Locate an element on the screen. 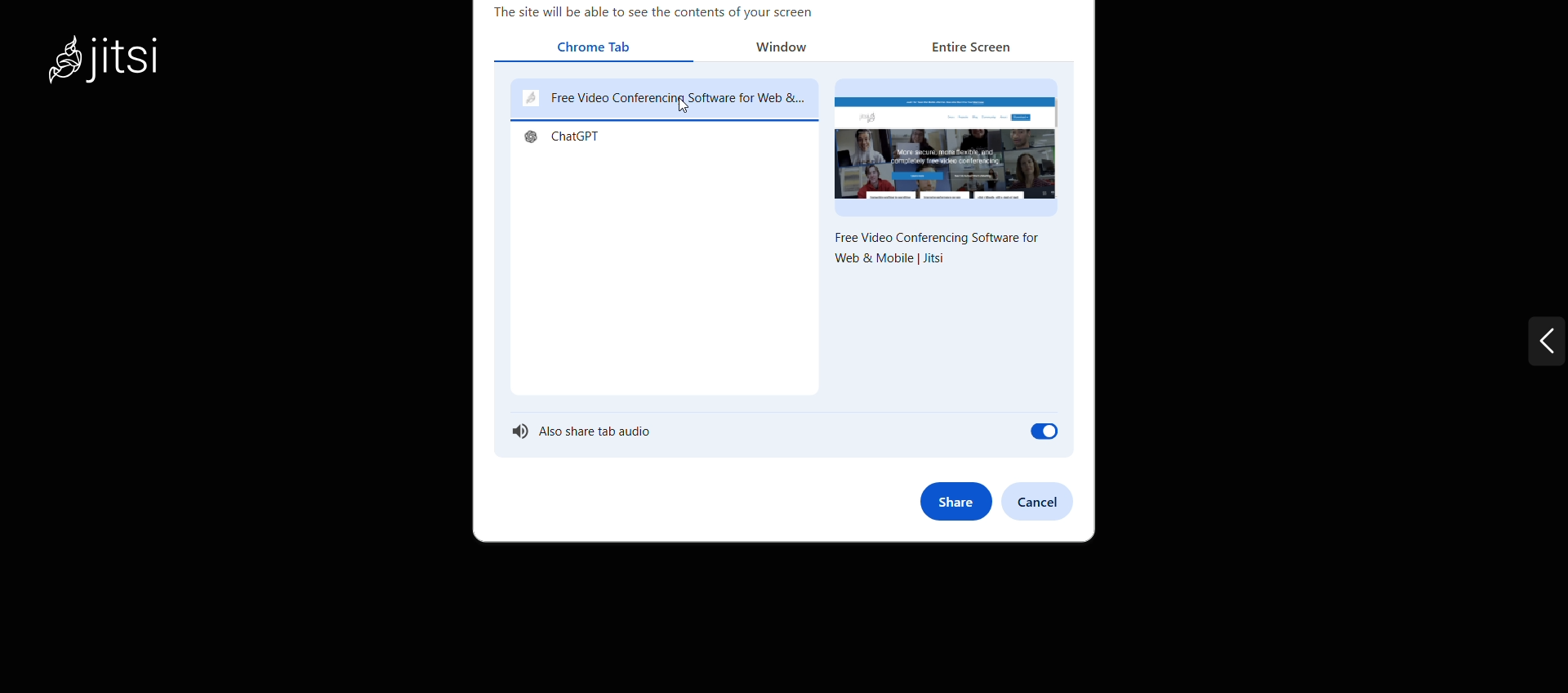 The height and width of the screenshot is (693, 1568). Free Video Conferencing Software for Web &.. is located at coordinates (663, 98).